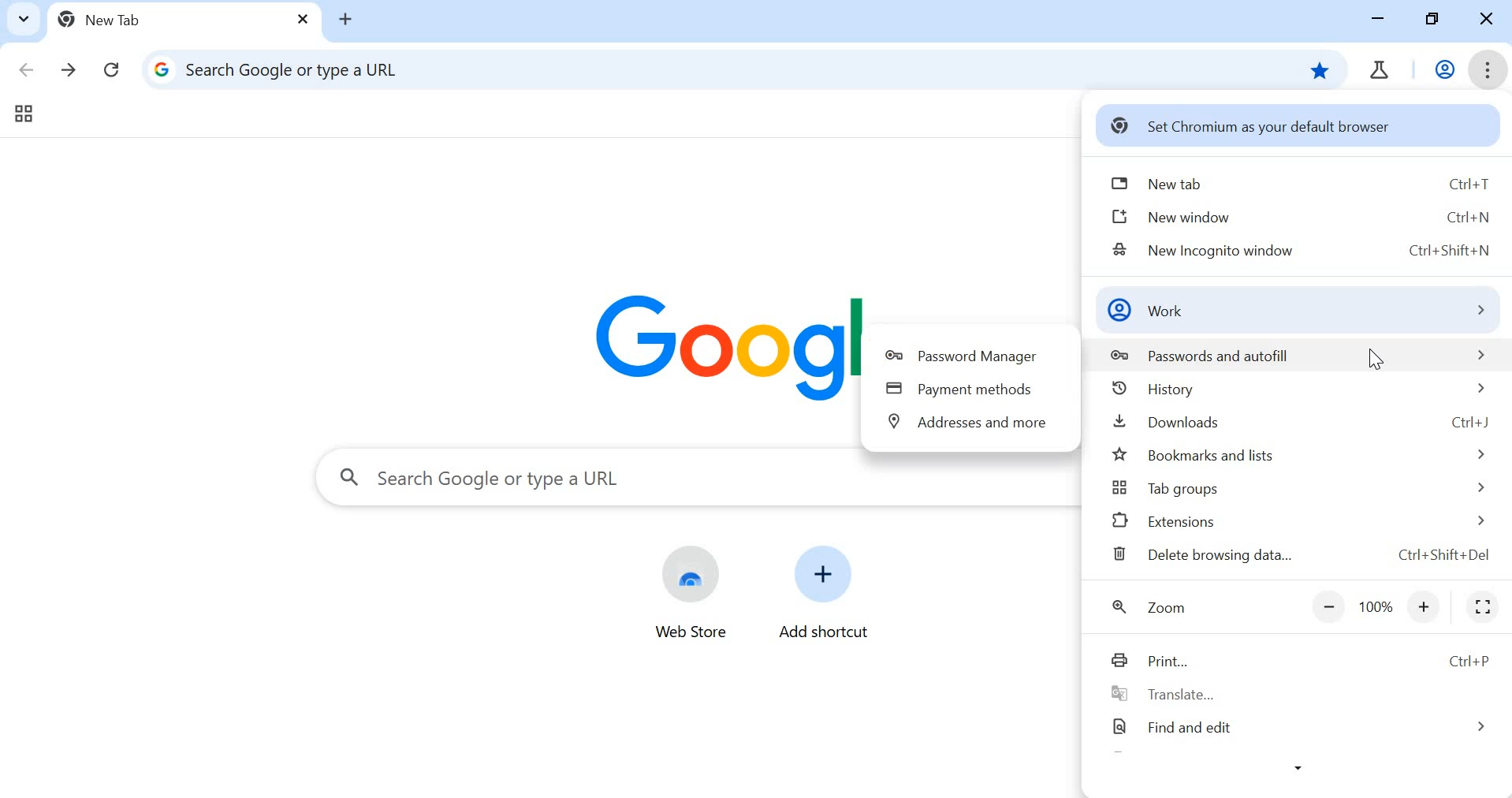  Describe the element at coordinates (1380, 19) in the screenshot. I see `minimize` at that location.